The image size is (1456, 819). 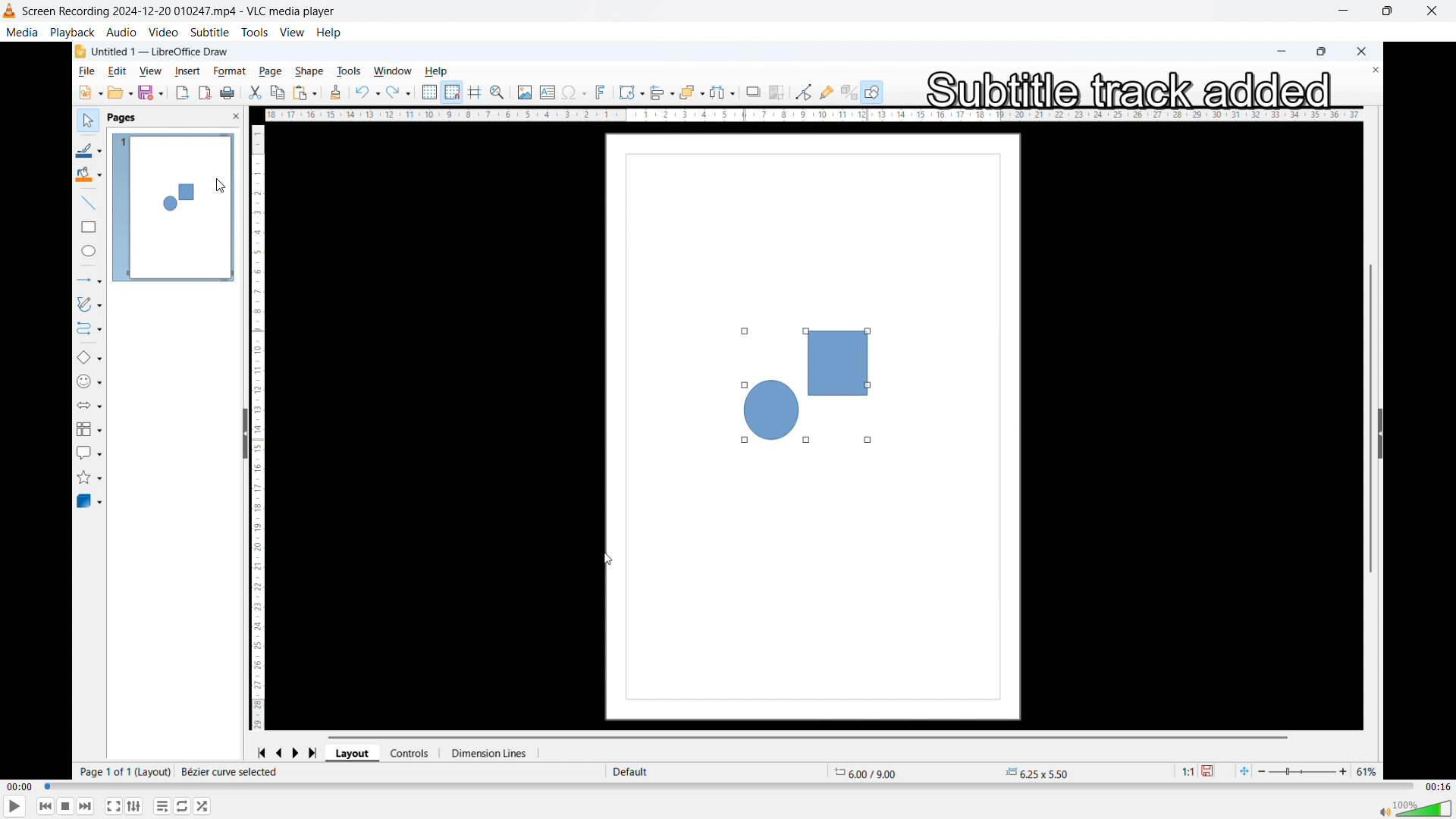 What do you see at coordinates (79, 52) in the screenshot?
I see `libre office draw logo` at bounding box center [79, 52].